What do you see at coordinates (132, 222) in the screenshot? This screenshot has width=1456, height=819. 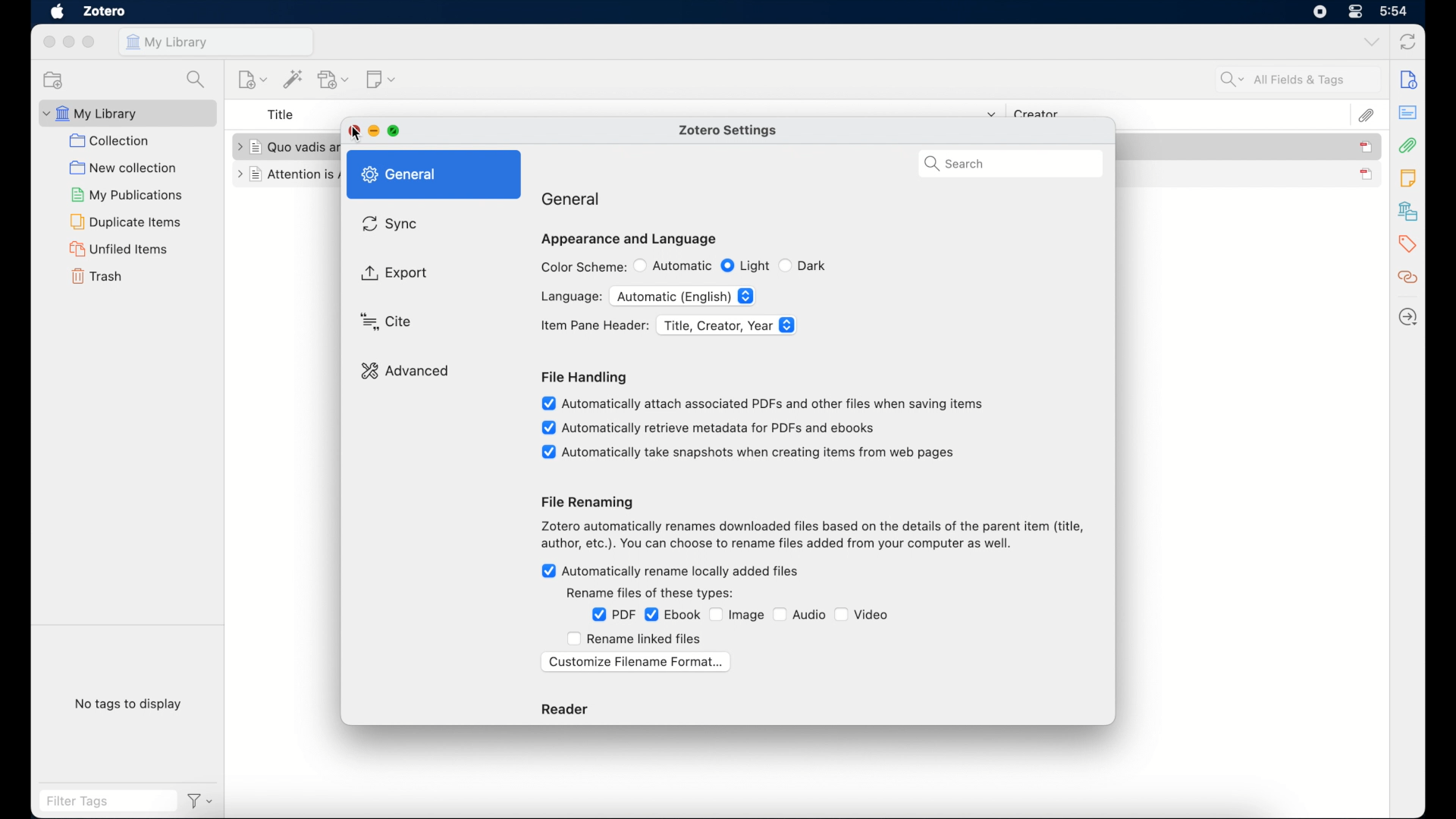 I see `duplicate items` at bounding box center [132, 222].